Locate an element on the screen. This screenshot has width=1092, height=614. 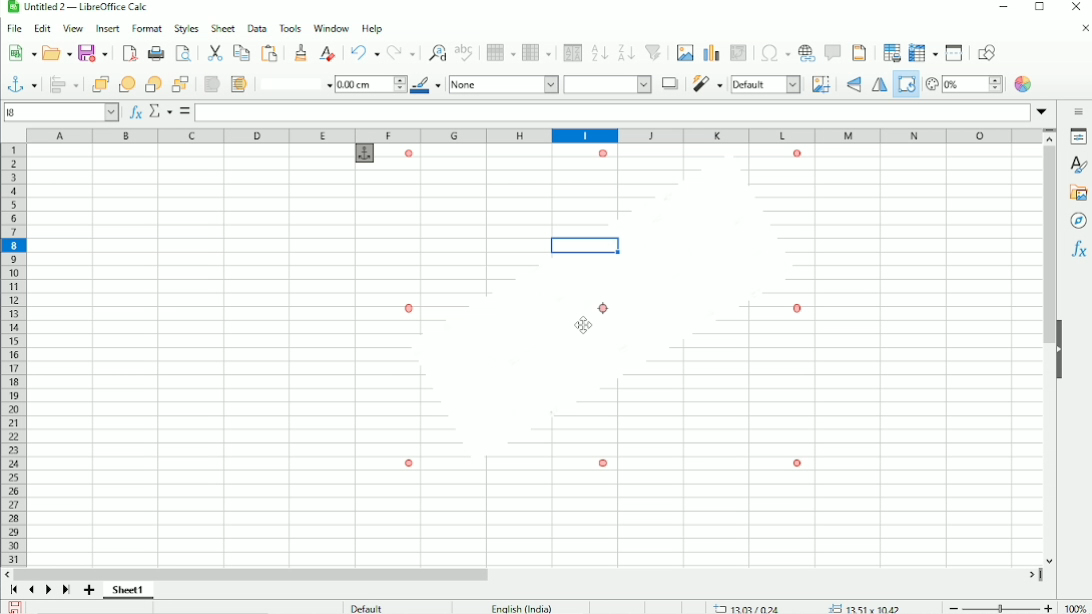
Scroll to next sheet is located at coordinates (47, 591).